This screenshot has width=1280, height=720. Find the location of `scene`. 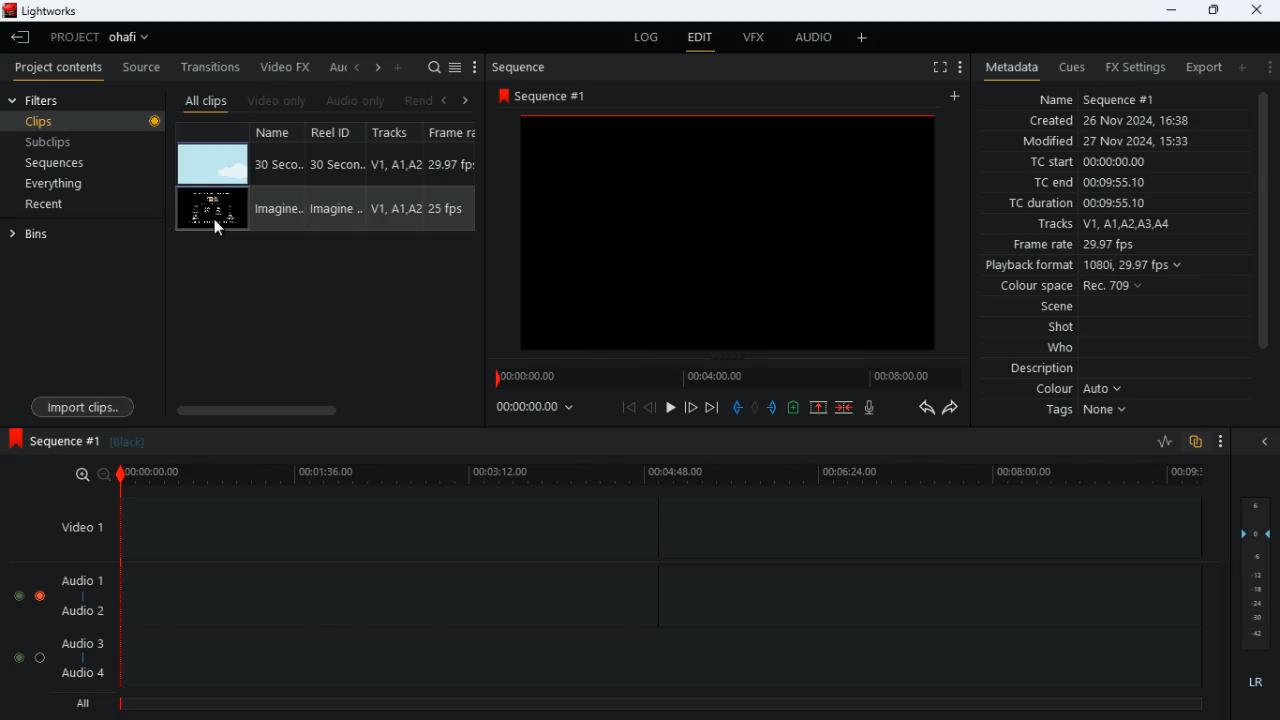

scene is located at coordinates (1047, 307).